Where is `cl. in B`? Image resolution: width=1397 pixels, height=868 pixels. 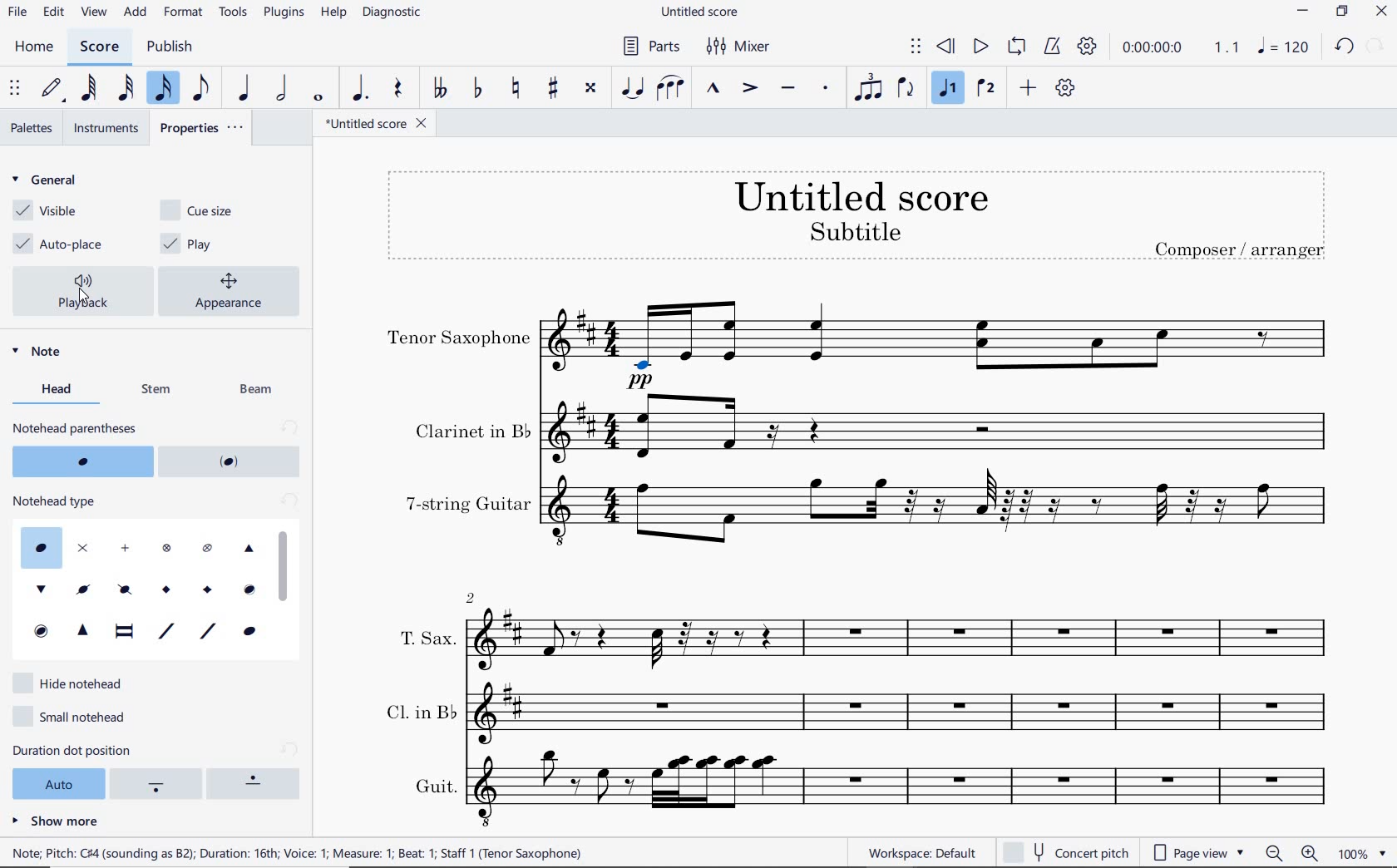 cl. in B is located at coordinates (914, 712).